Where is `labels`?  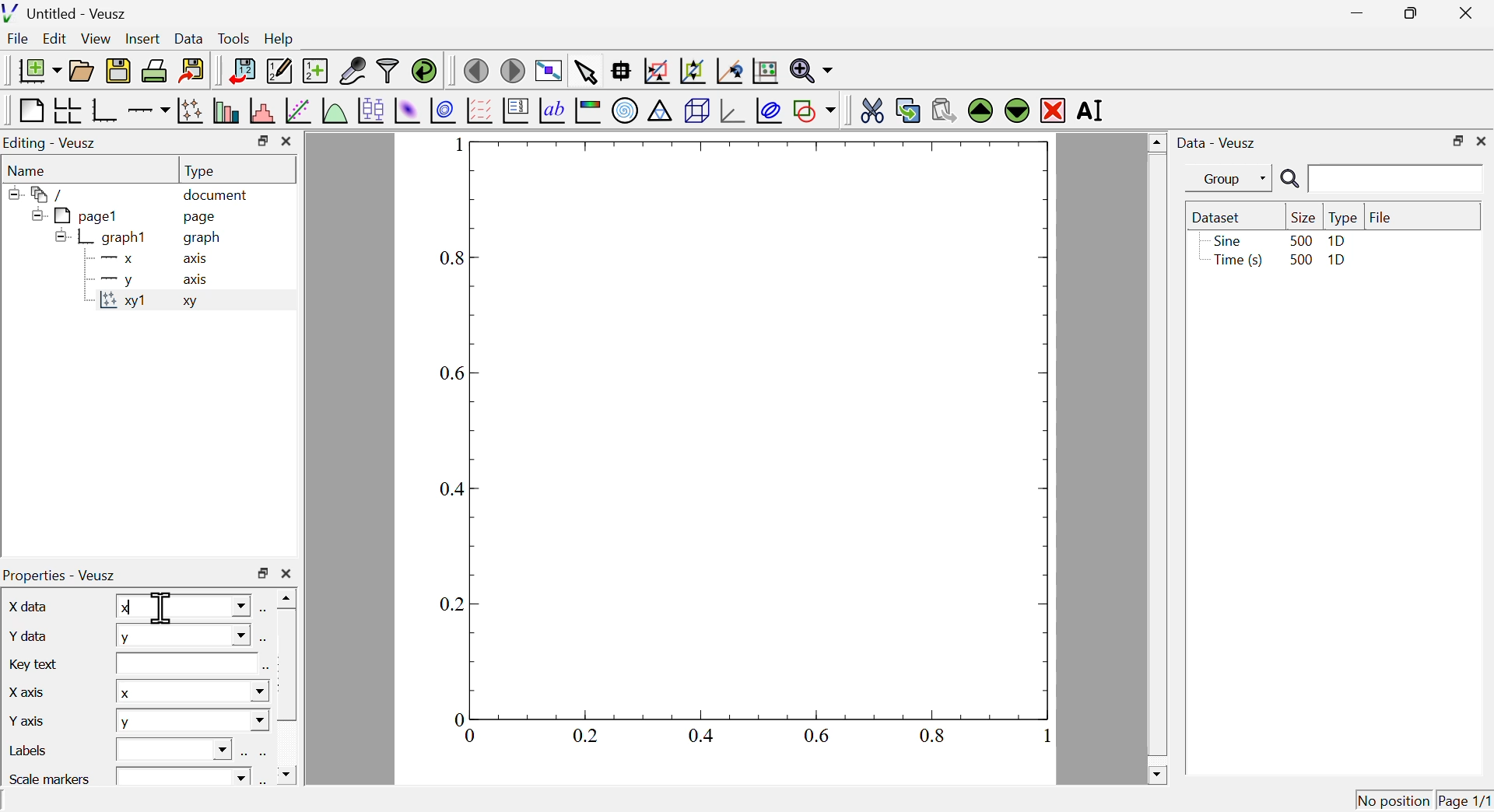 labels is located at coordinates (31, 751).